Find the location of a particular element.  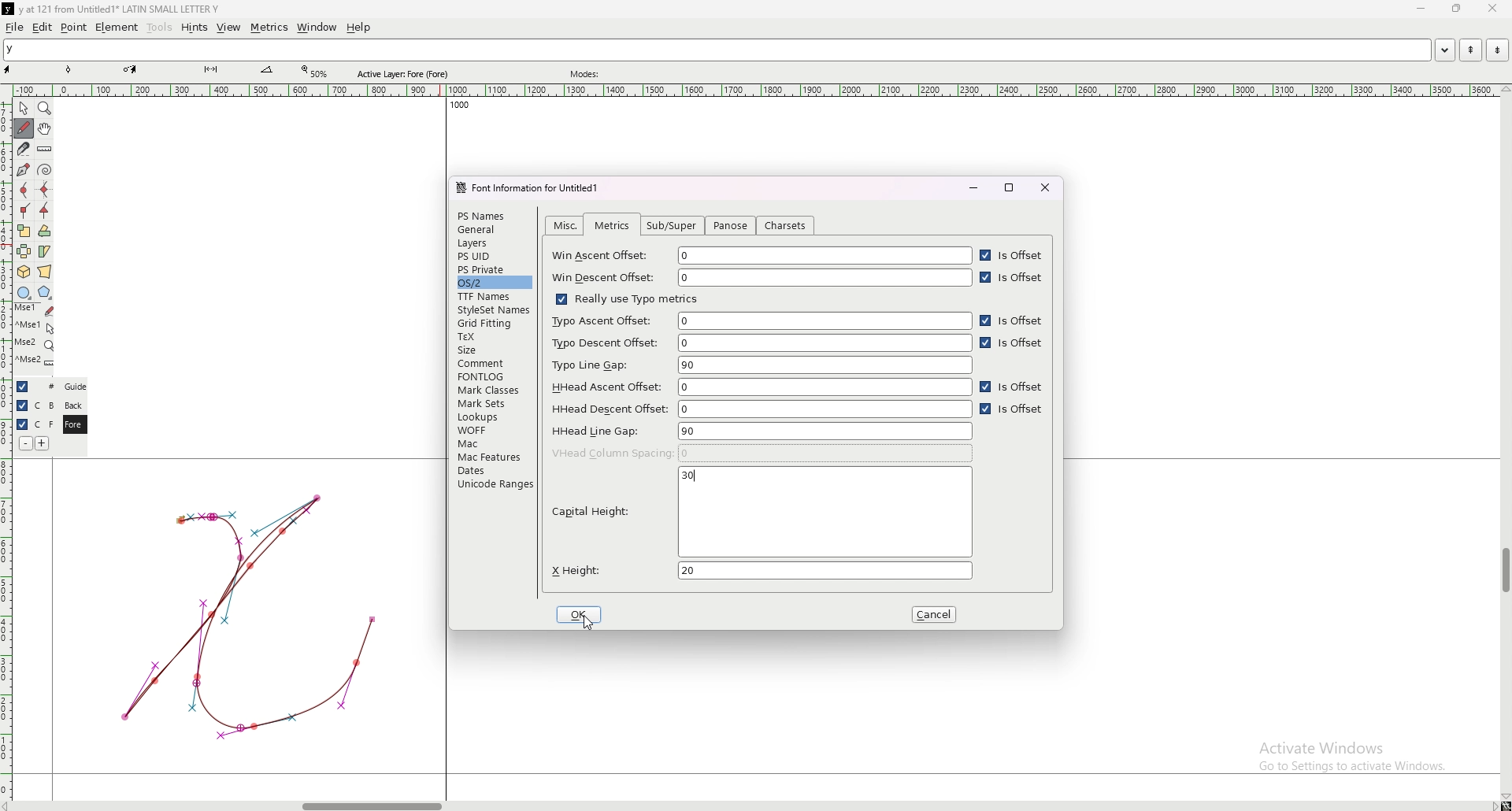

os/2 is located at coordinates (493, 282).